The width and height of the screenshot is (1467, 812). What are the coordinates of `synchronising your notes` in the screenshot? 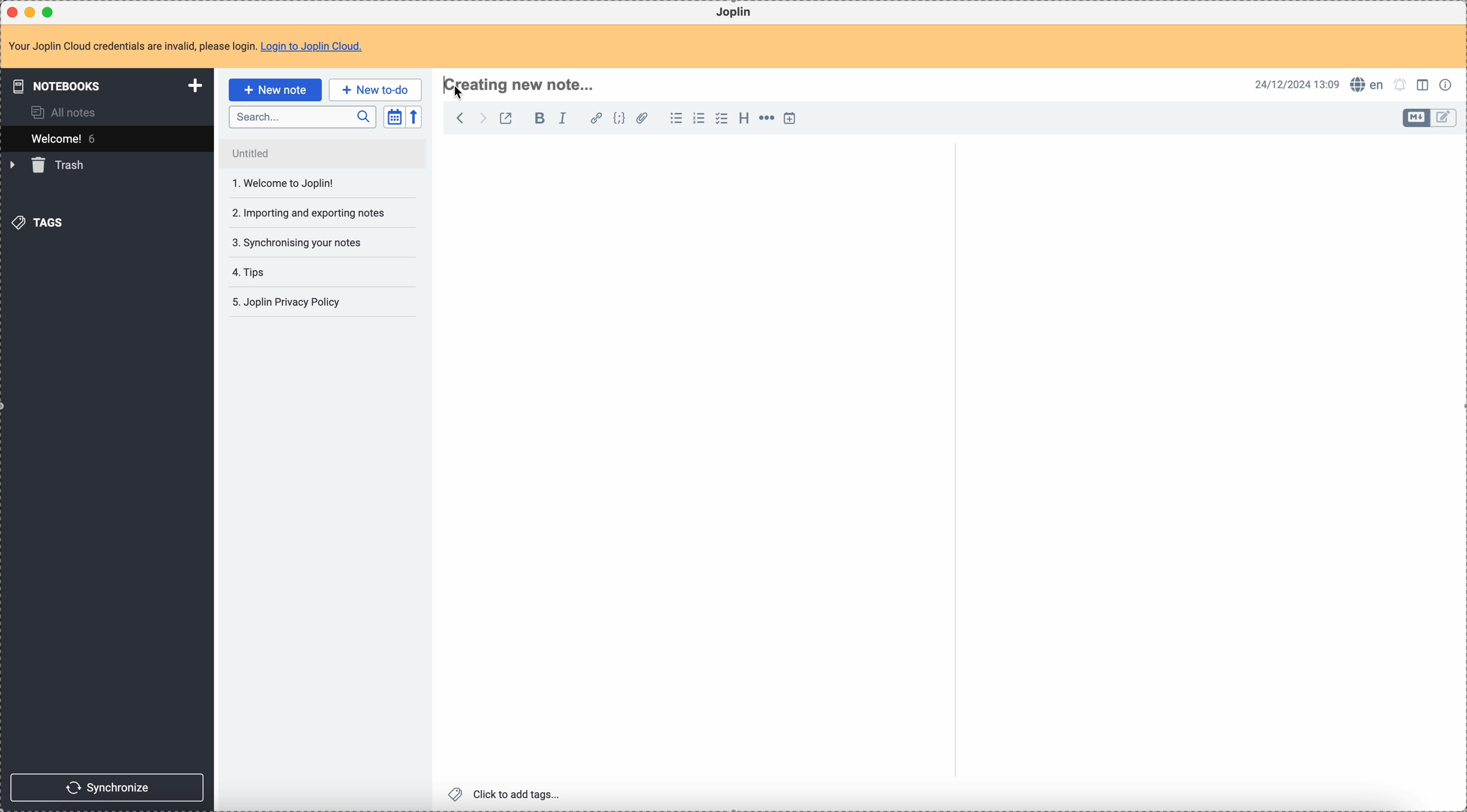 It's located at (296, 241).